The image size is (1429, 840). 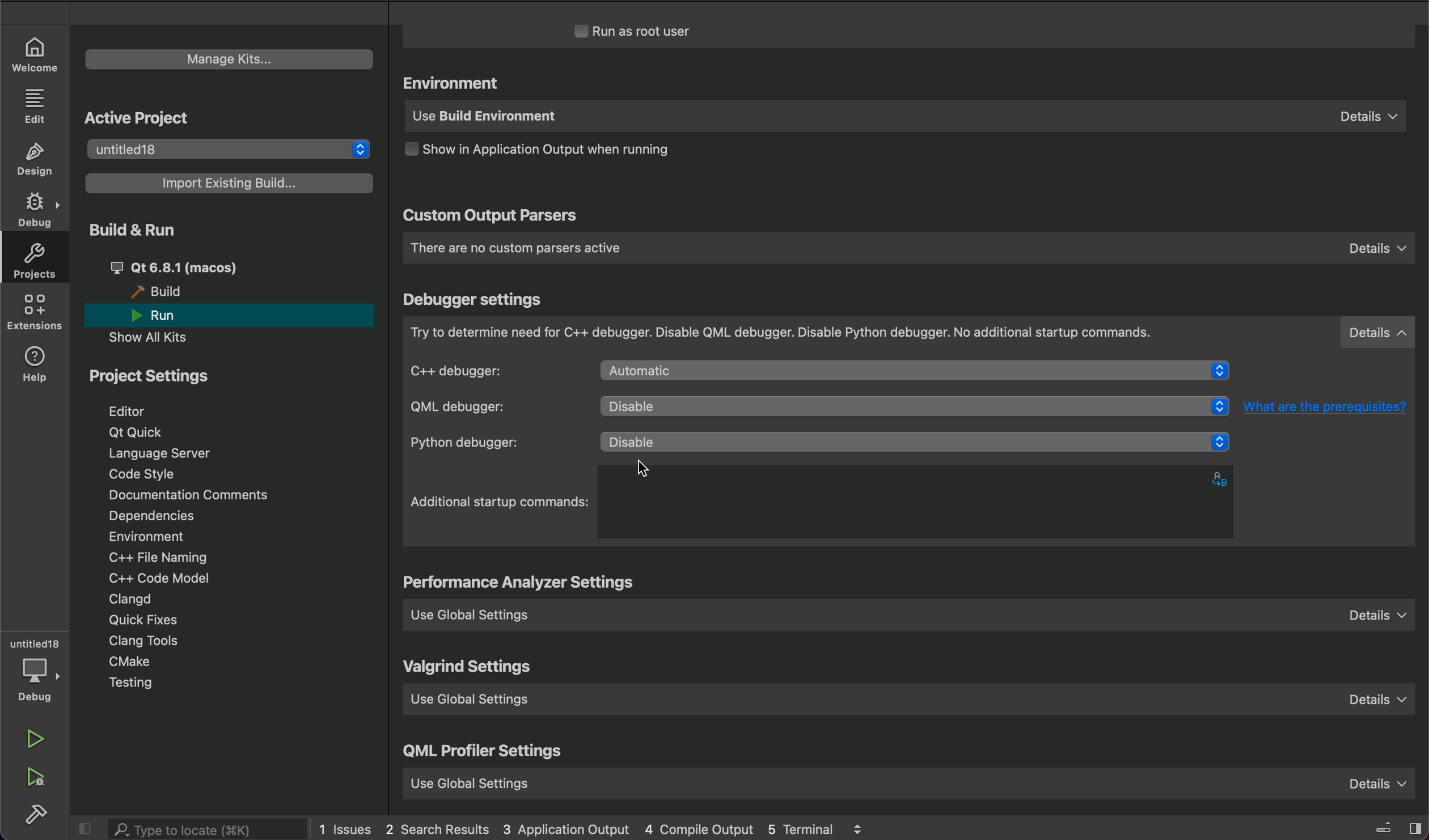 I want to click on DESIGN, so click(x=39, y=160).